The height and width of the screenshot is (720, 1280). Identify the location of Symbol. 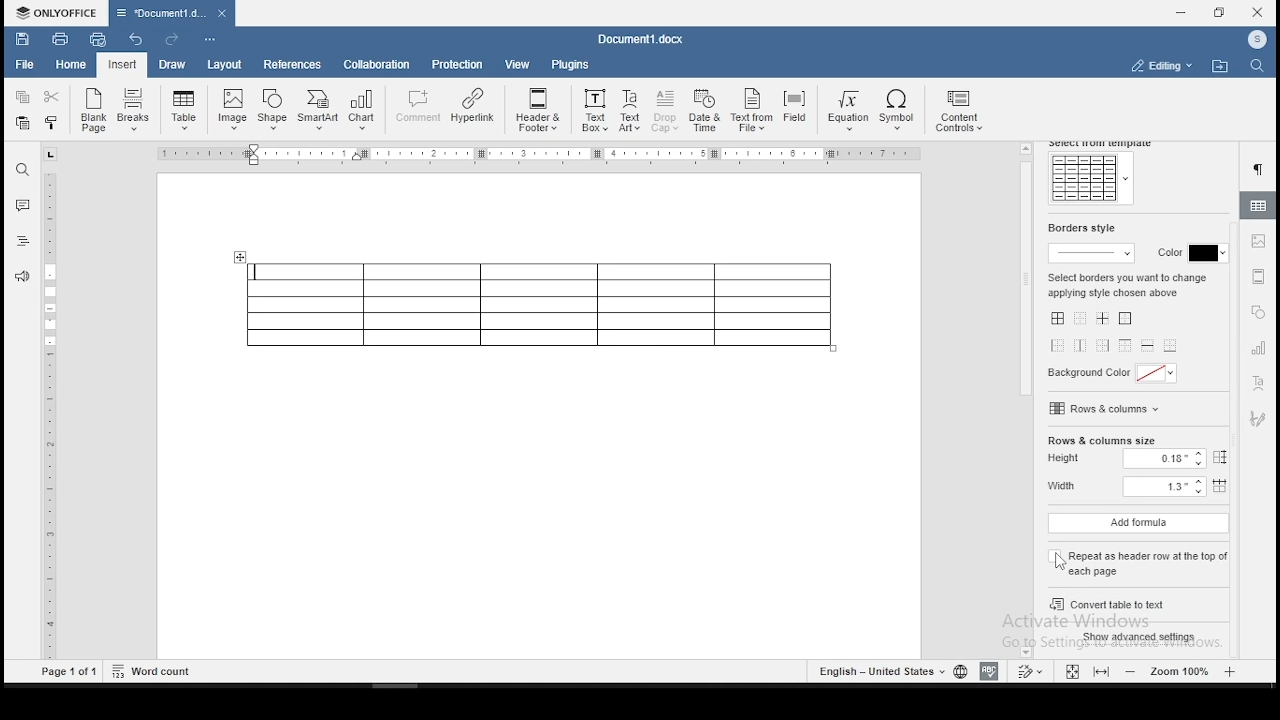
(900, 112).